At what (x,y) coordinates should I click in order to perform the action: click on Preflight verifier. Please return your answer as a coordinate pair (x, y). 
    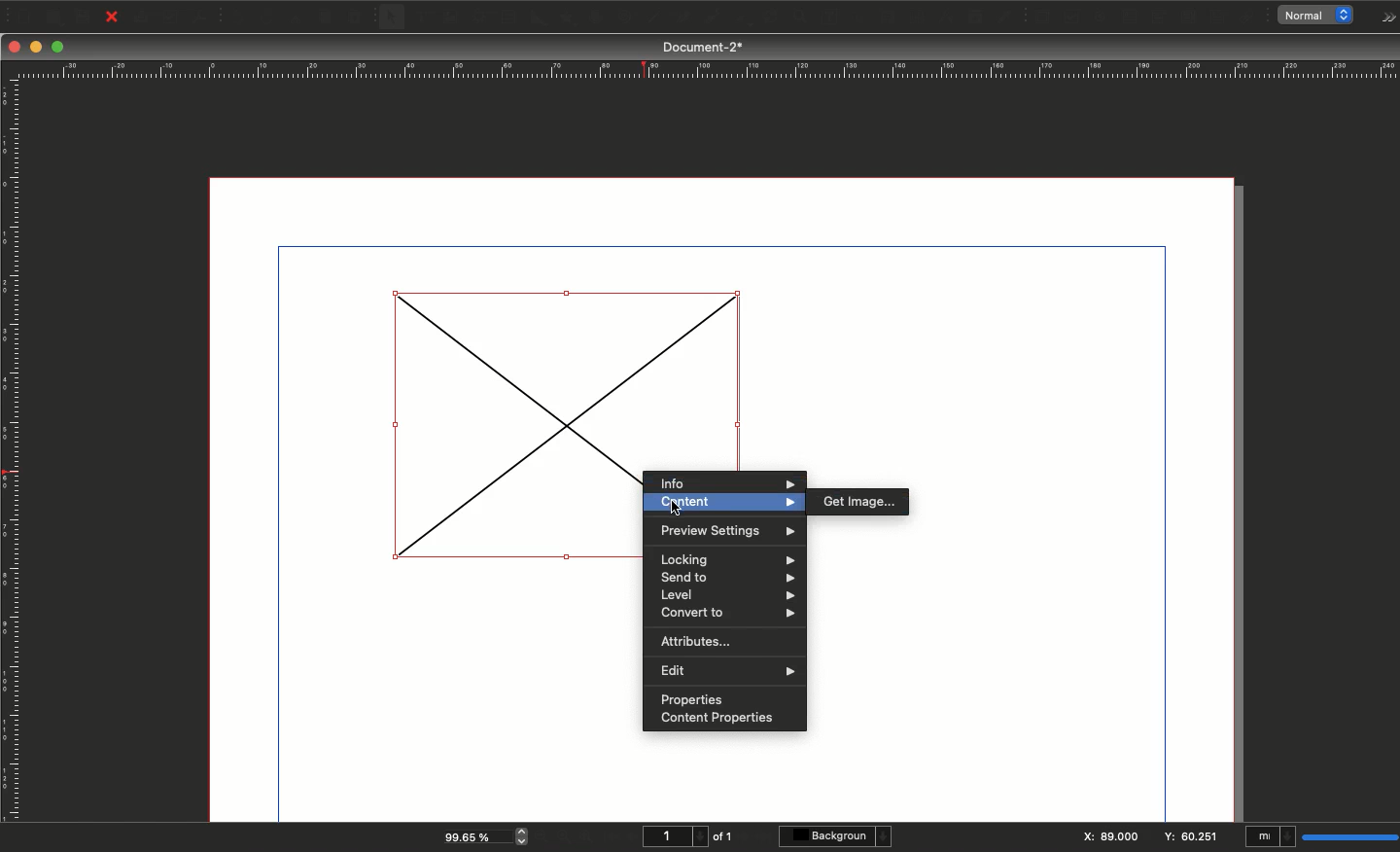
    Looking at the image, I should click on (172, 20).